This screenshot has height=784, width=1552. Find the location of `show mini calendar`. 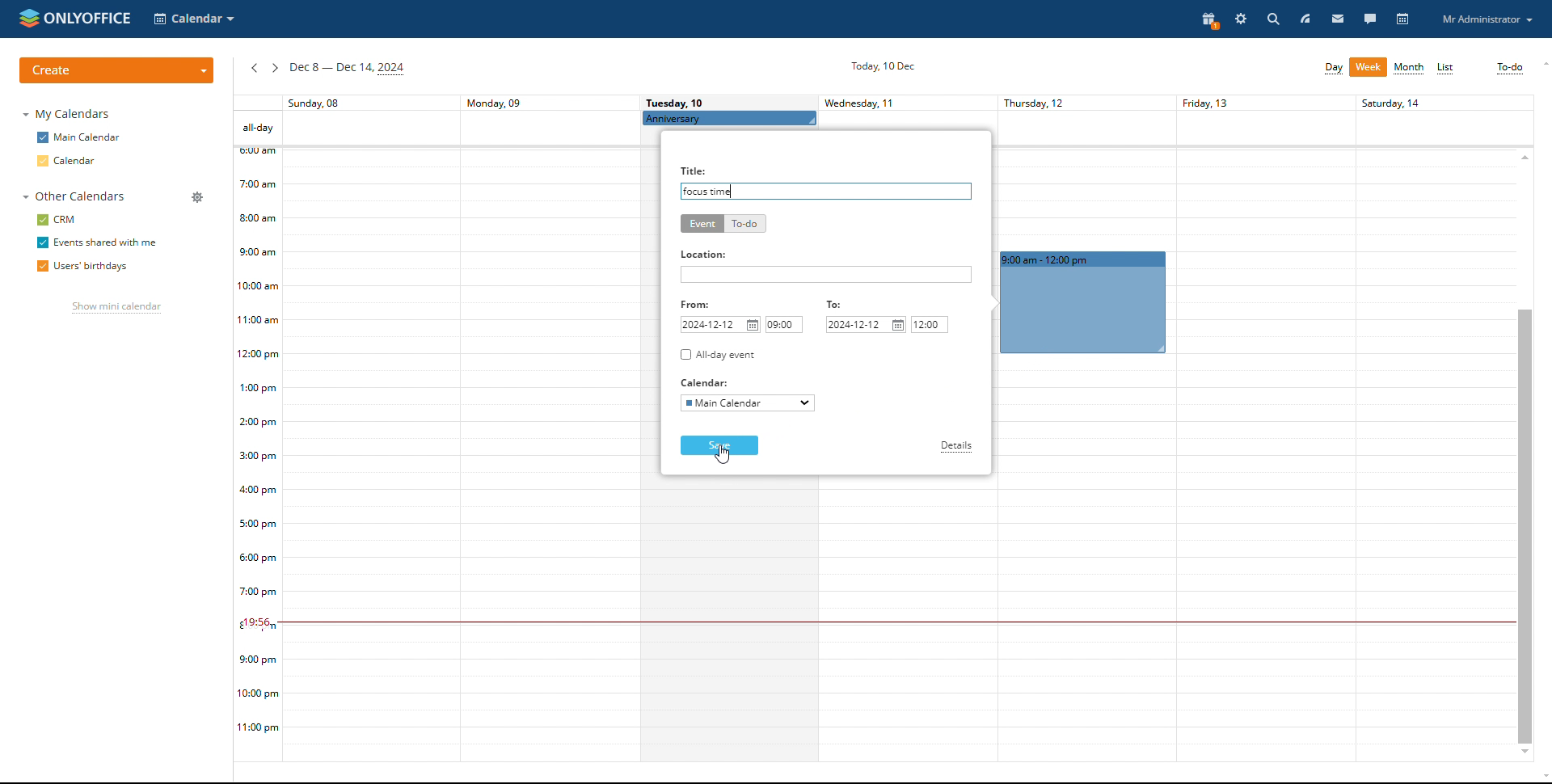

show mini calendar is located at coordinates (113, 310).